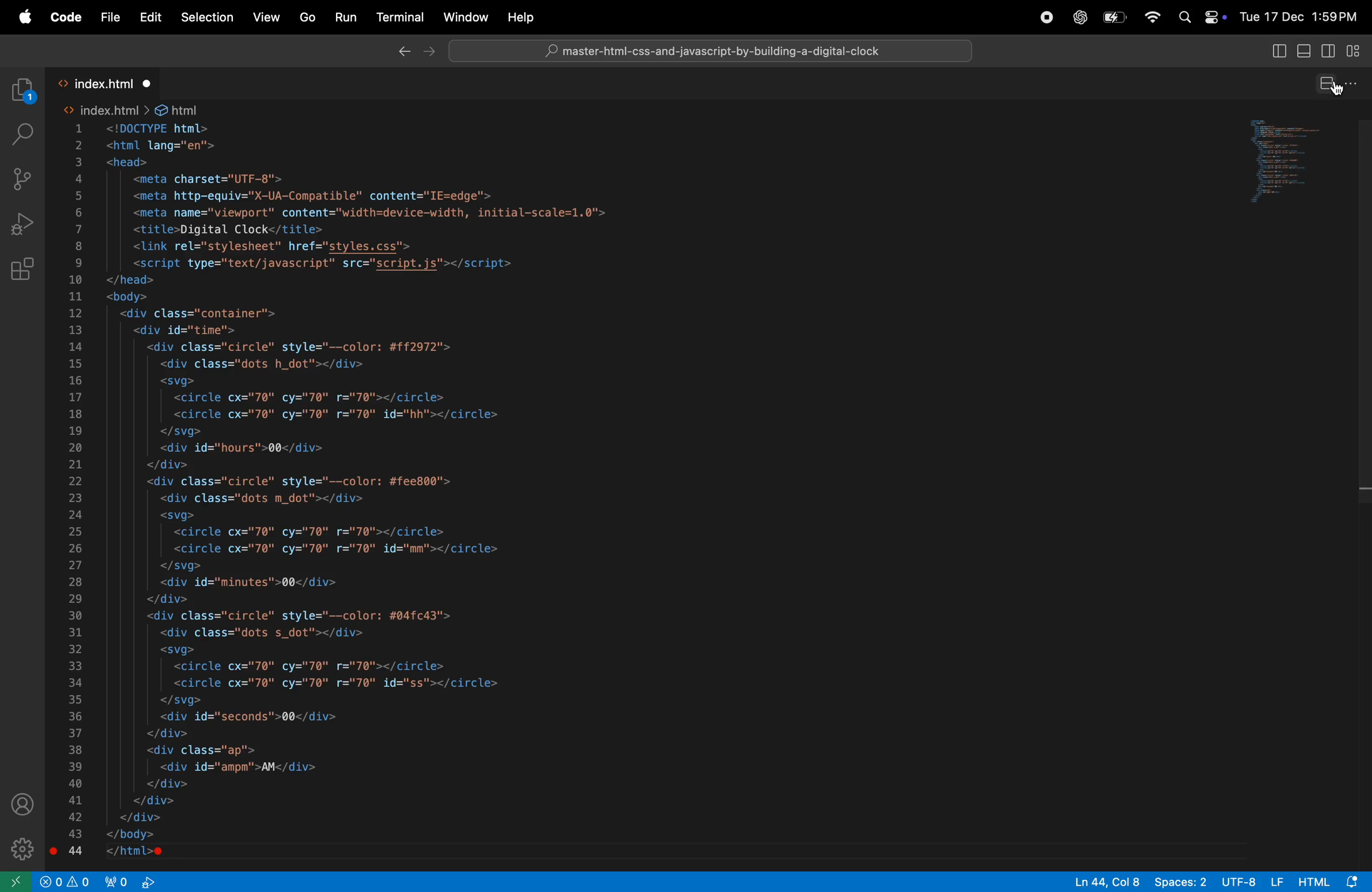 This screenshot has width=1372, height=892. Describe the element at coordinates (1179, 880) in the screenshot. I see `spaces 2` at that location.